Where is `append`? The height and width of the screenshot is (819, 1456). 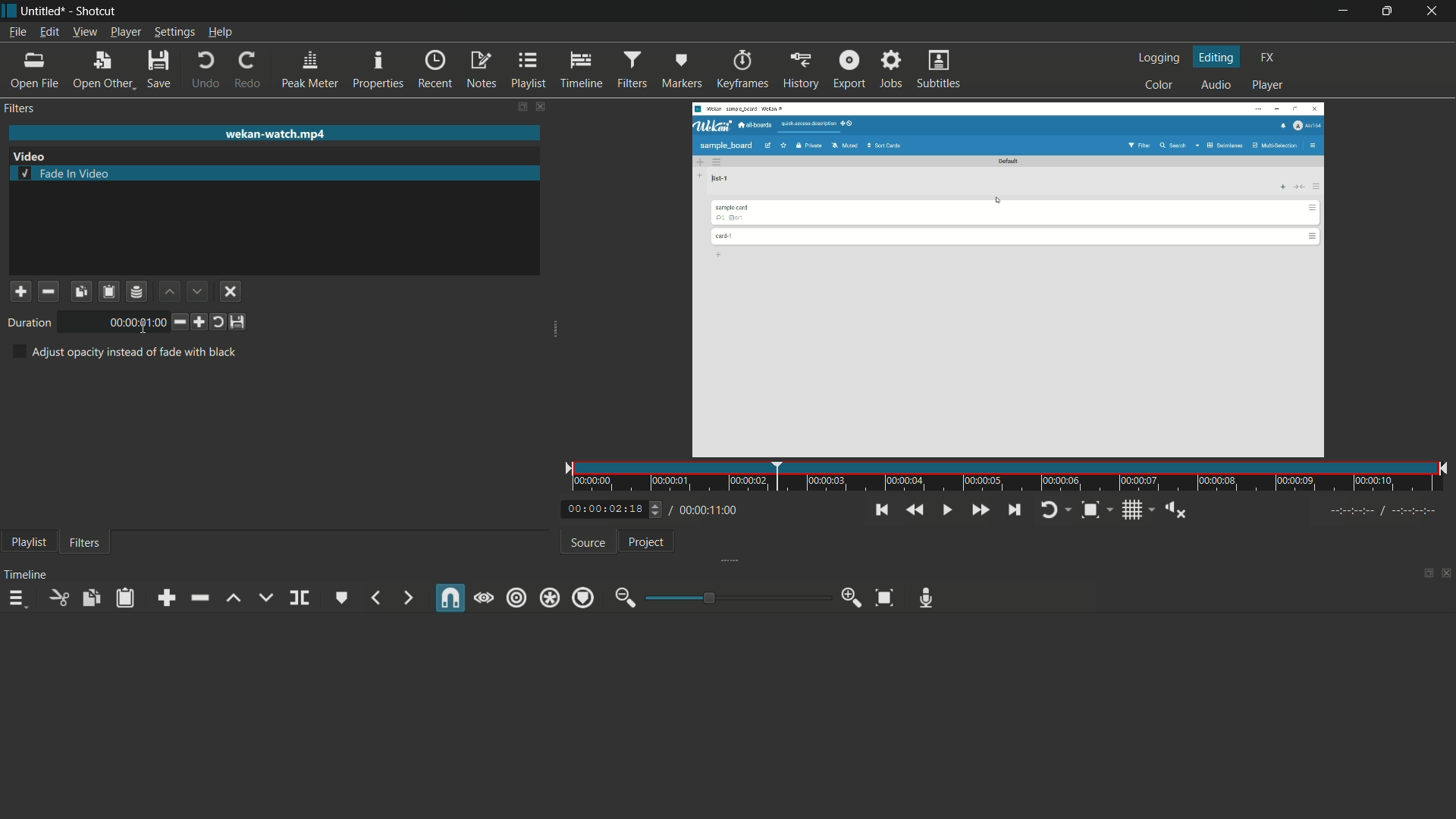 append is located at coordinates (166, 598).